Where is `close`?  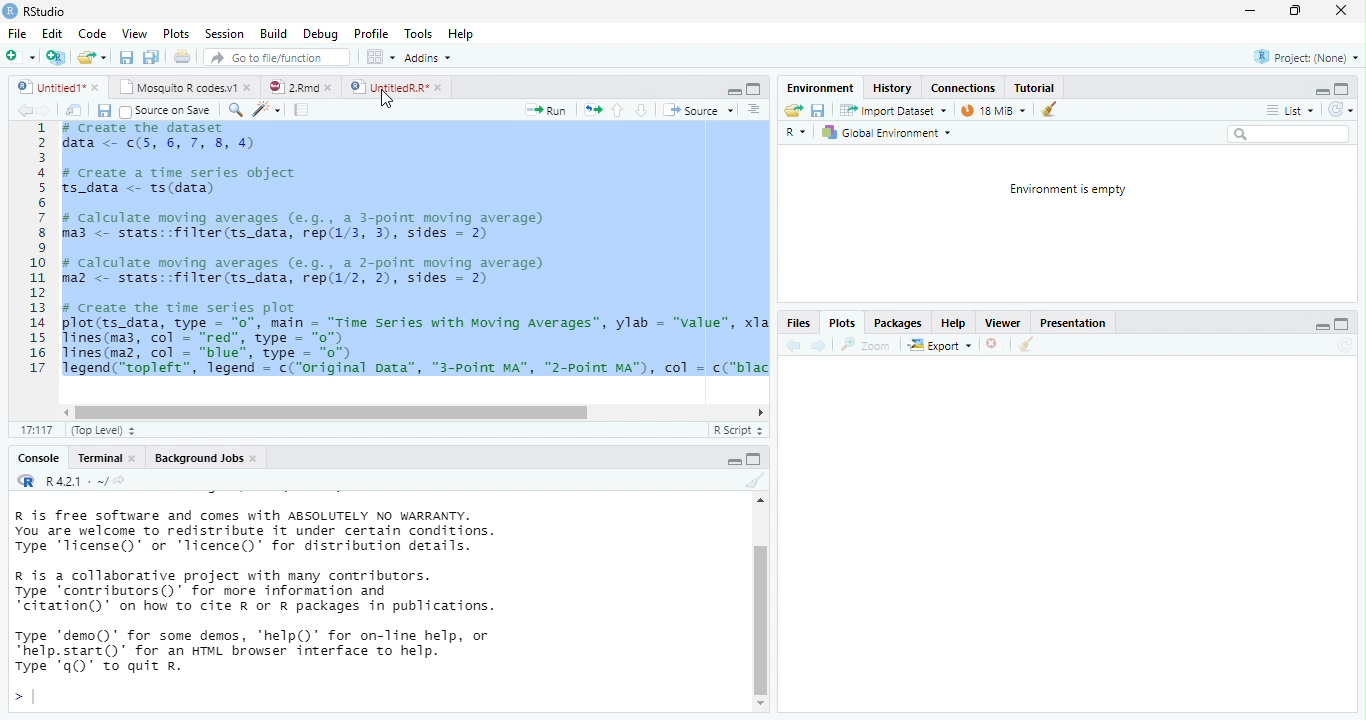 close is located at coordinates (332, 88).